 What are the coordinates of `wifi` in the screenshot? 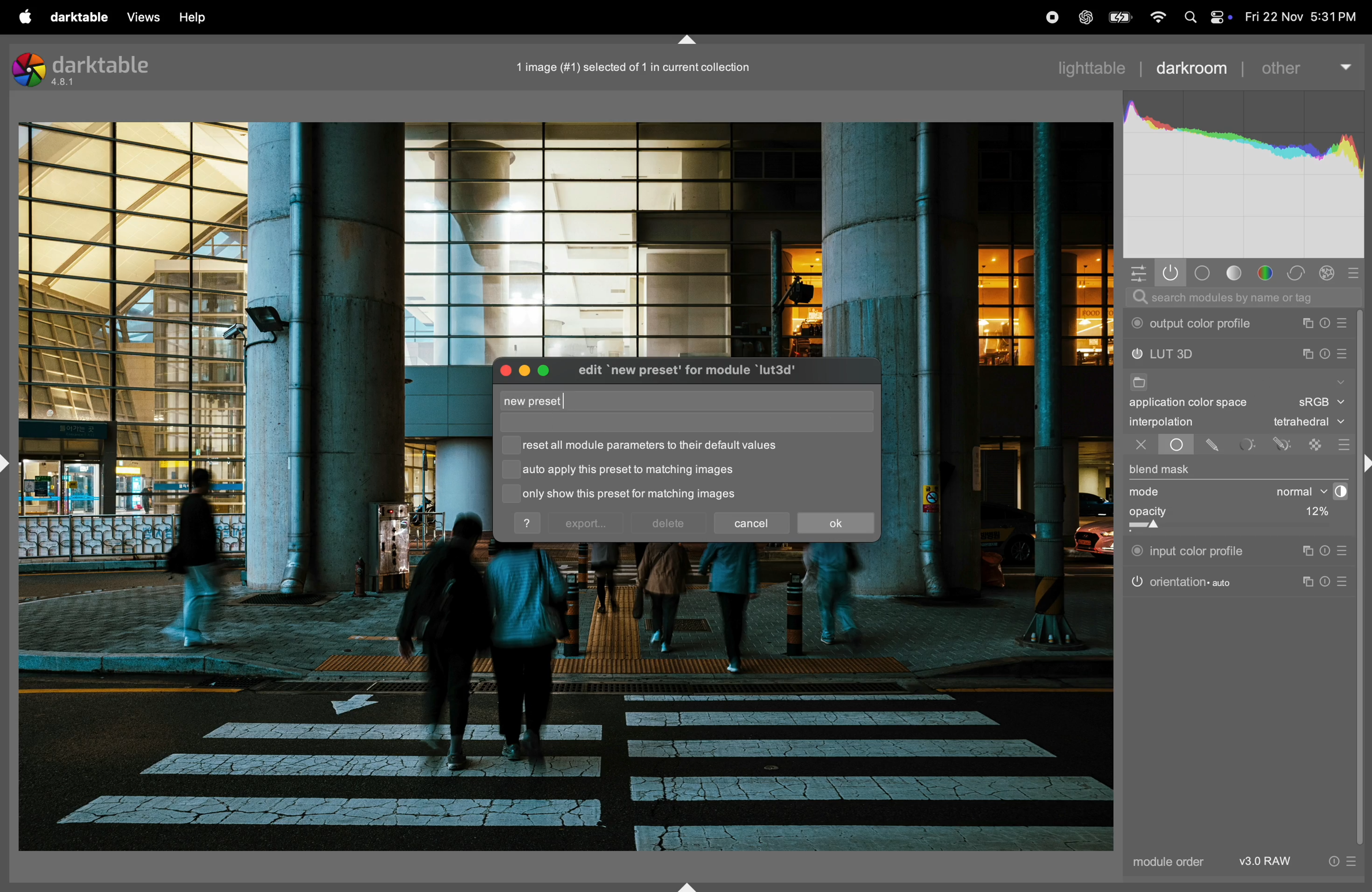 It's located at (1156, 18).